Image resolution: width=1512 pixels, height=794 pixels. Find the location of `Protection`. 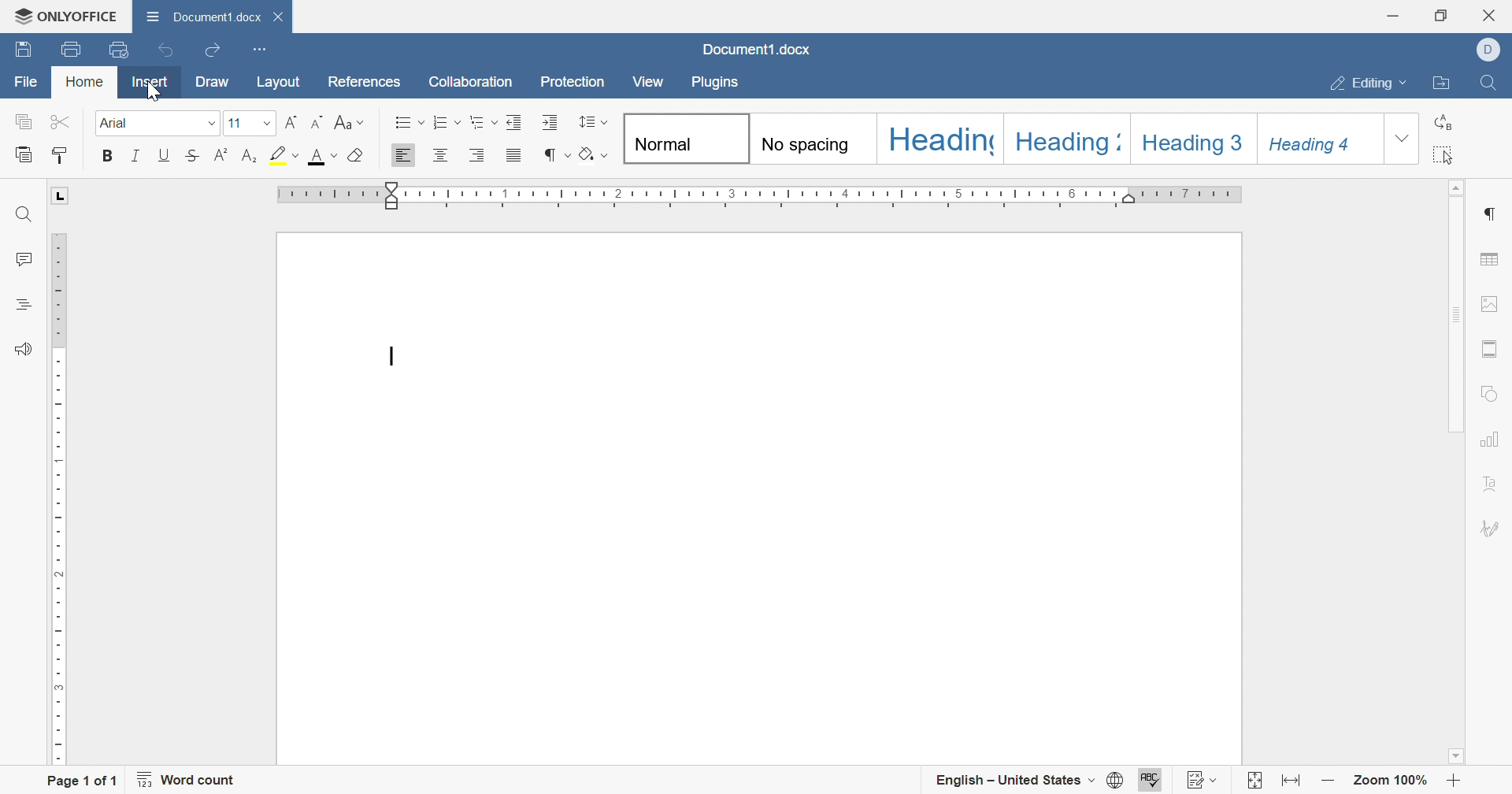

Protection is located at coordinates (571, 82).